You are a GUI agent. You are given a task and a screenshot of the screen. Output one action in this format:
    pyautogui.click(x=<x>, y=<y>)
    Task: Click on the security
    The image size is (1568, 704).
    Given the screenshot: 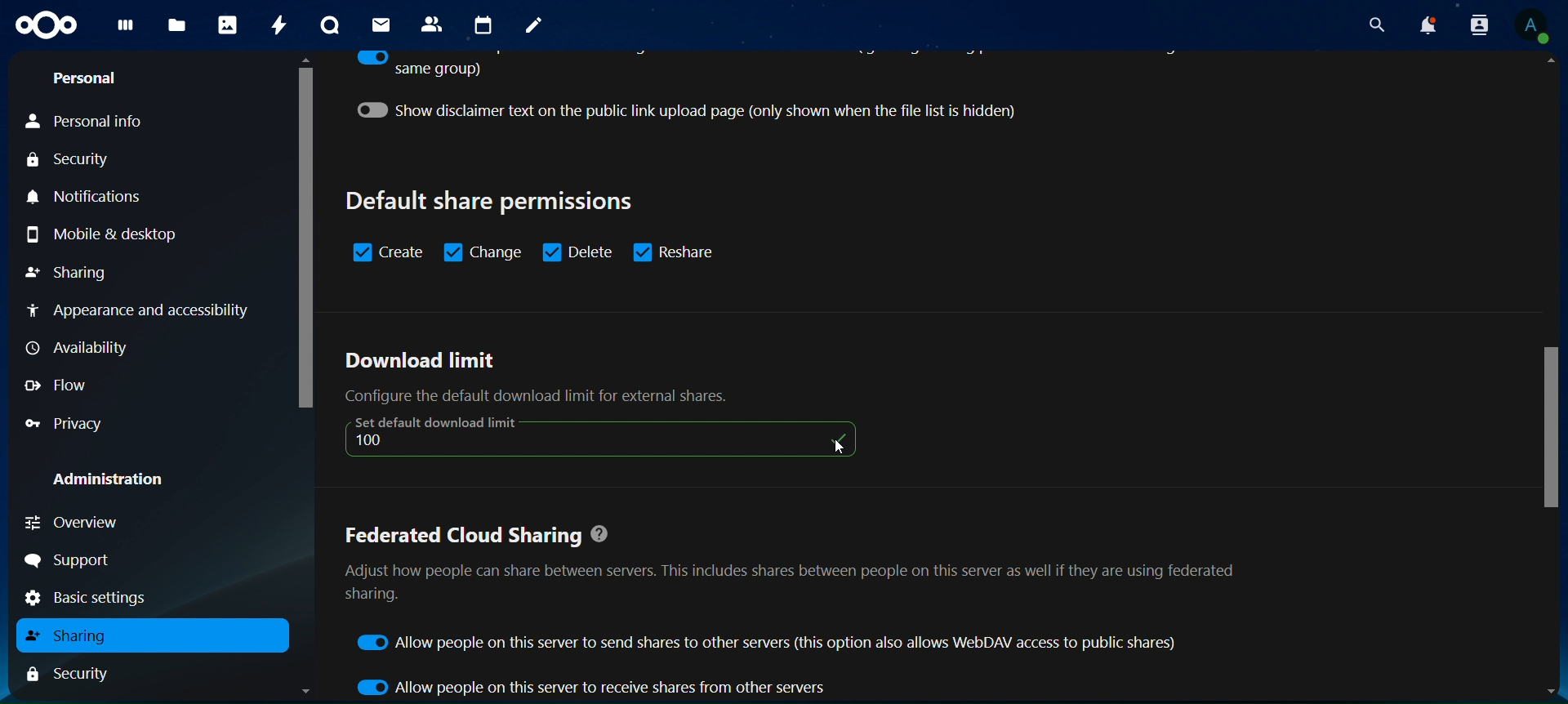 What is the action you would take?
    pyautogui.click(x=68, y=672)
    